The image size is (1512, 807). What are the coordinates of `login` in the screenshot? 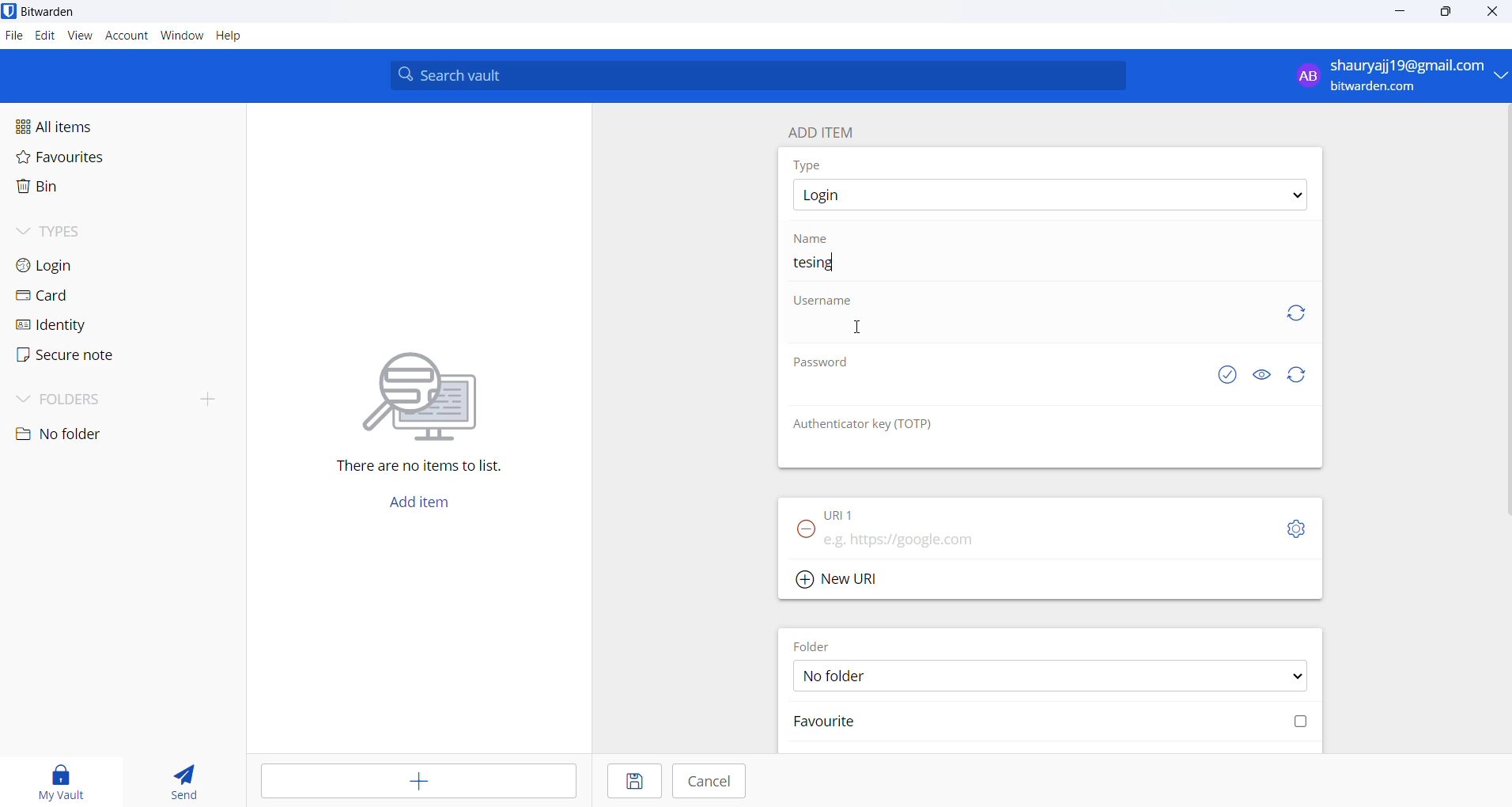 It's located at (71, 264).